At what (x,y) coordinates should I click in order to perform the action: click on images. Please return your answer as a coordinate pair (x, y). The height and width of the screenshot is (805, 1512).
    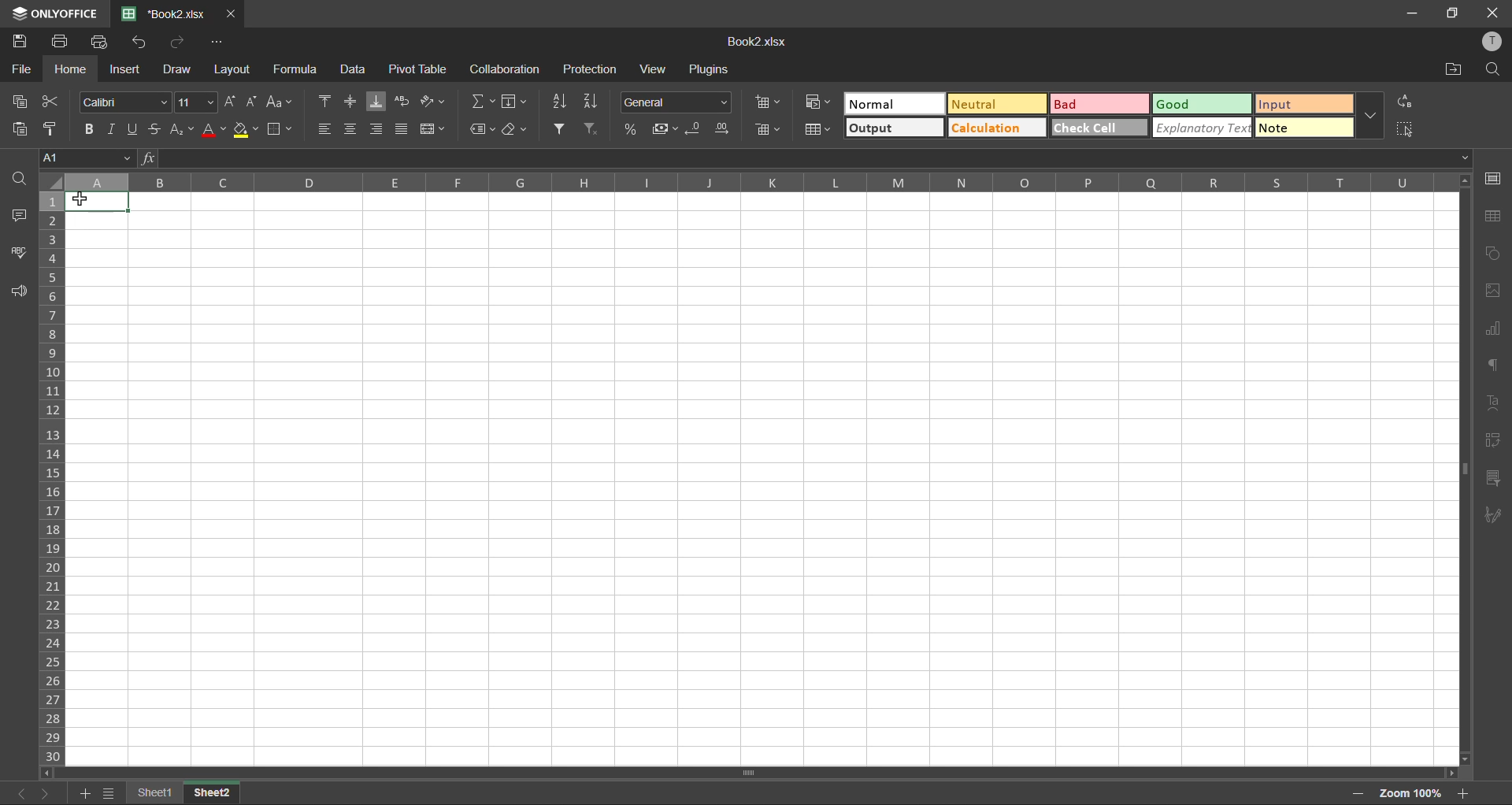
    Looking at the image, I should click on (1493, 291).